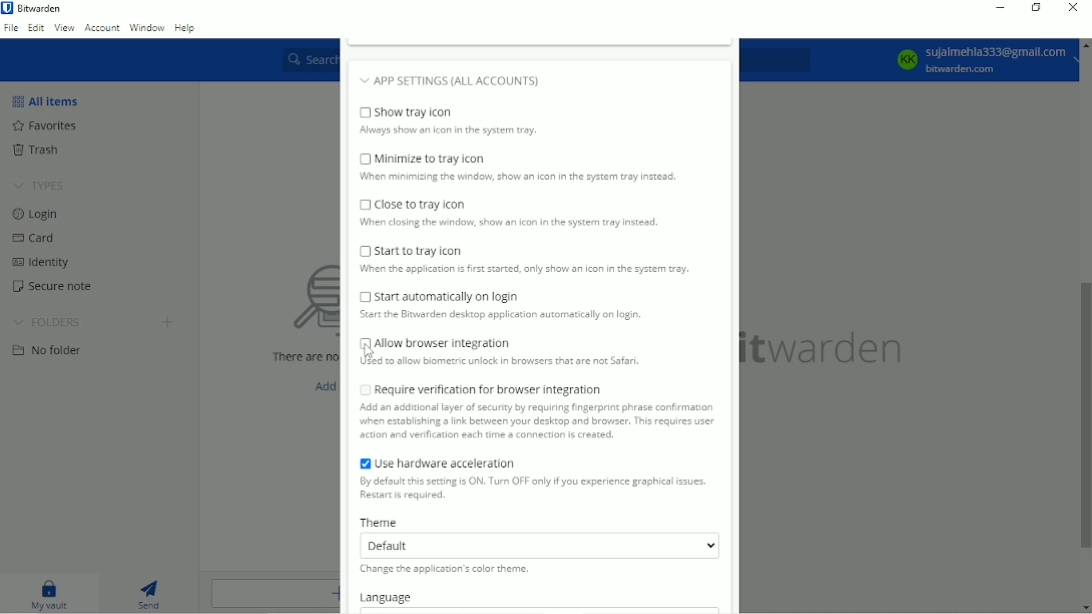 The width and height of the screenshot is (1092, 614). What do you see at coordinates (451, 112) in the screenshot?
I see `Show tray icon` at bounding box center [451, 112].